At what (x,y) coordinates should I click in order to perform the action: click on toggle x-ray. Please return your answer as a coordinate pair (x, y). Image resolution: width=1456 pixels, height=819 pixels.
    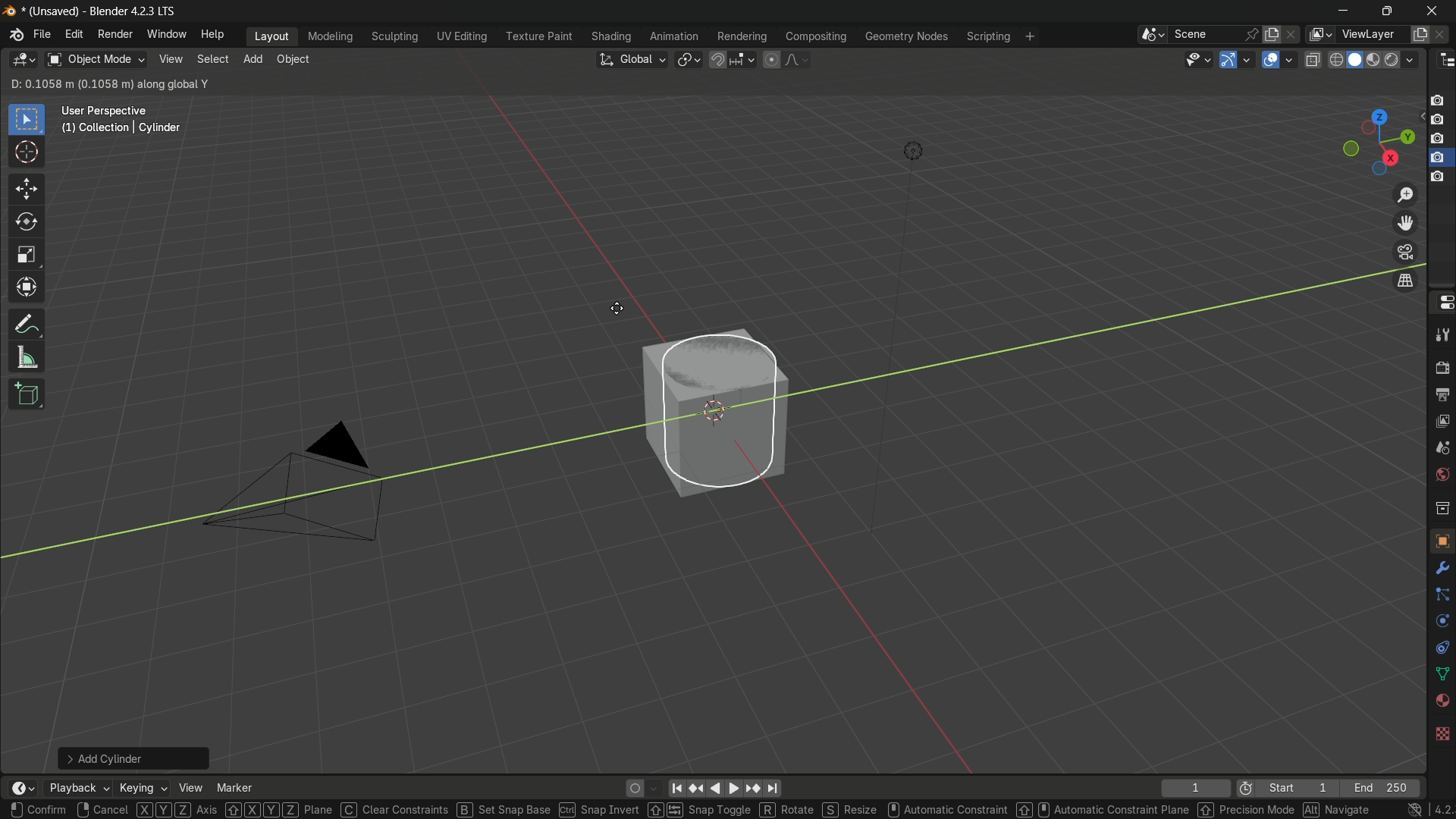
    Looking at the image, I should click on (1313, 59).